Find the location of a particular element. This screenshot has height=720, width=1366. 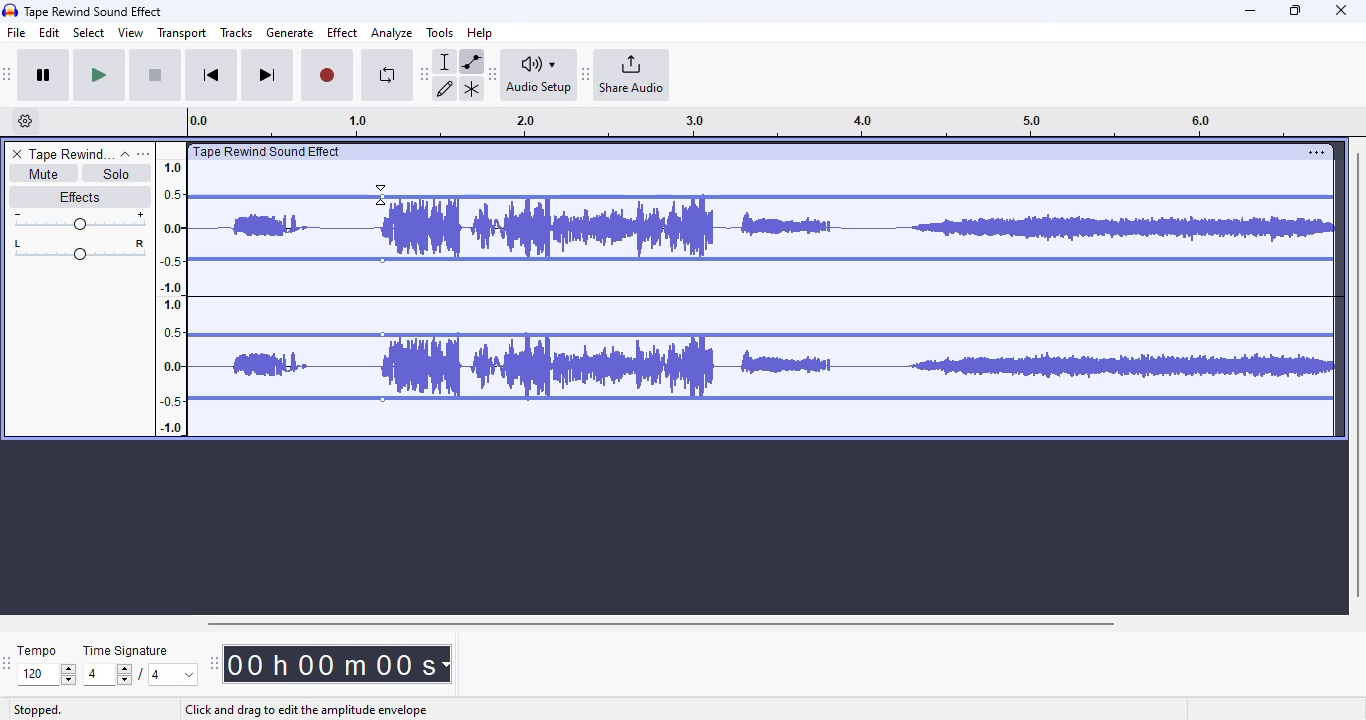

Input for time signature is located at coordinates (108, 675).